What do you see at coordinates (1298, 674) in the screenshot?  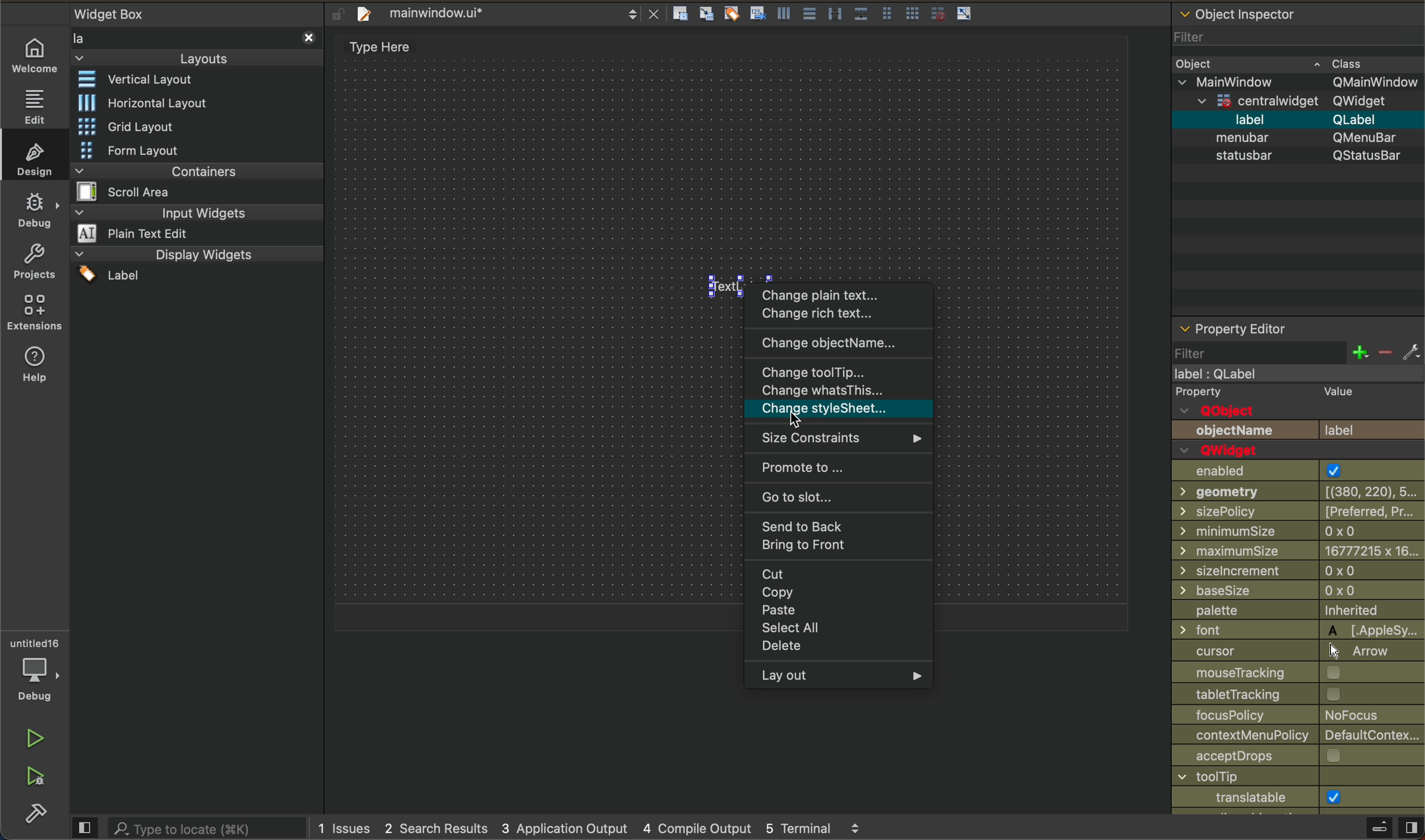 I see `` at bounding box center [1298, 674].